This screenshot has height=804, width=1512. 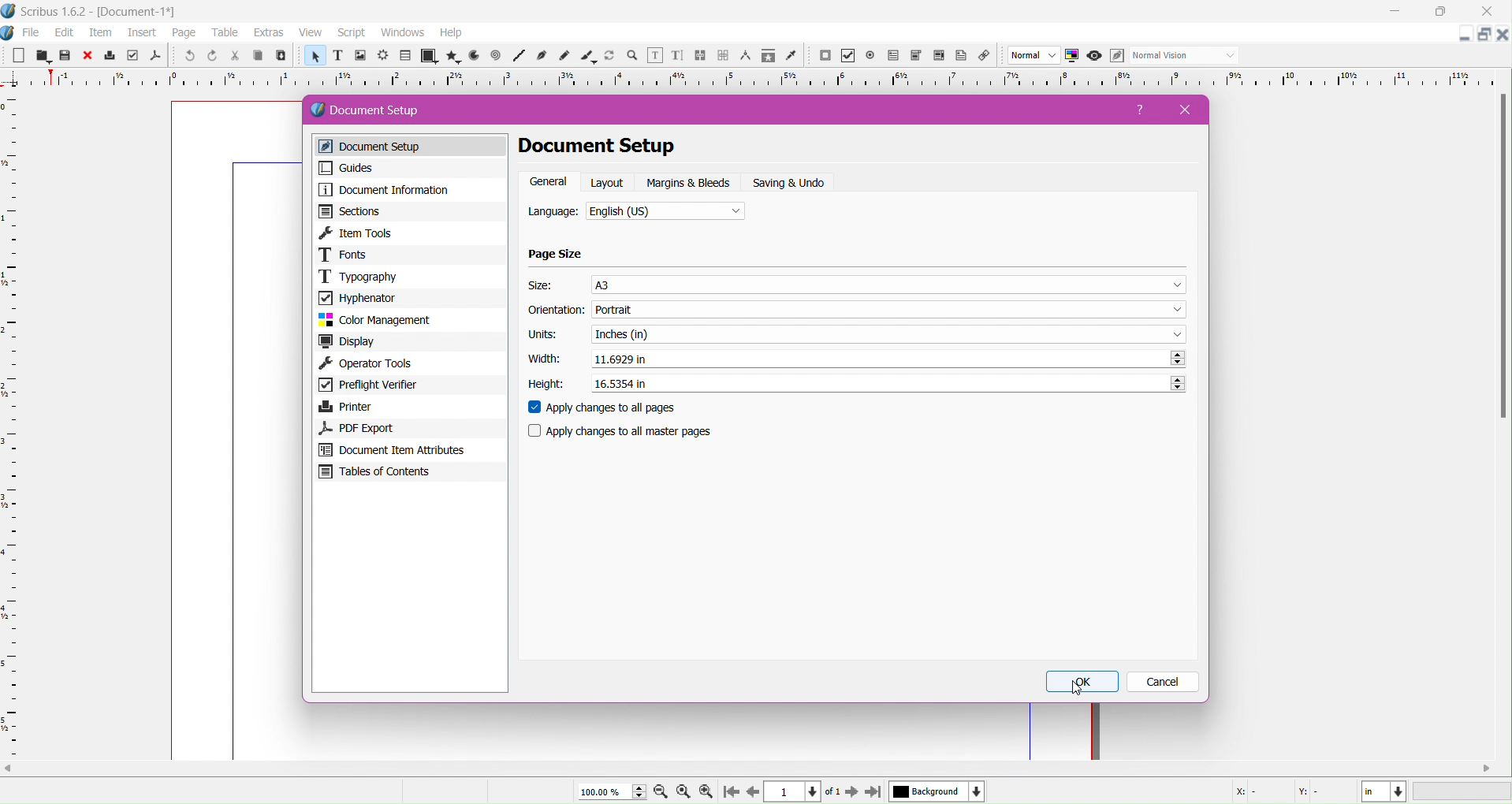 What do you see at coordinates (380, 110) in the screenshot?
I see `Document Setup` at bounding box center [380, 110].